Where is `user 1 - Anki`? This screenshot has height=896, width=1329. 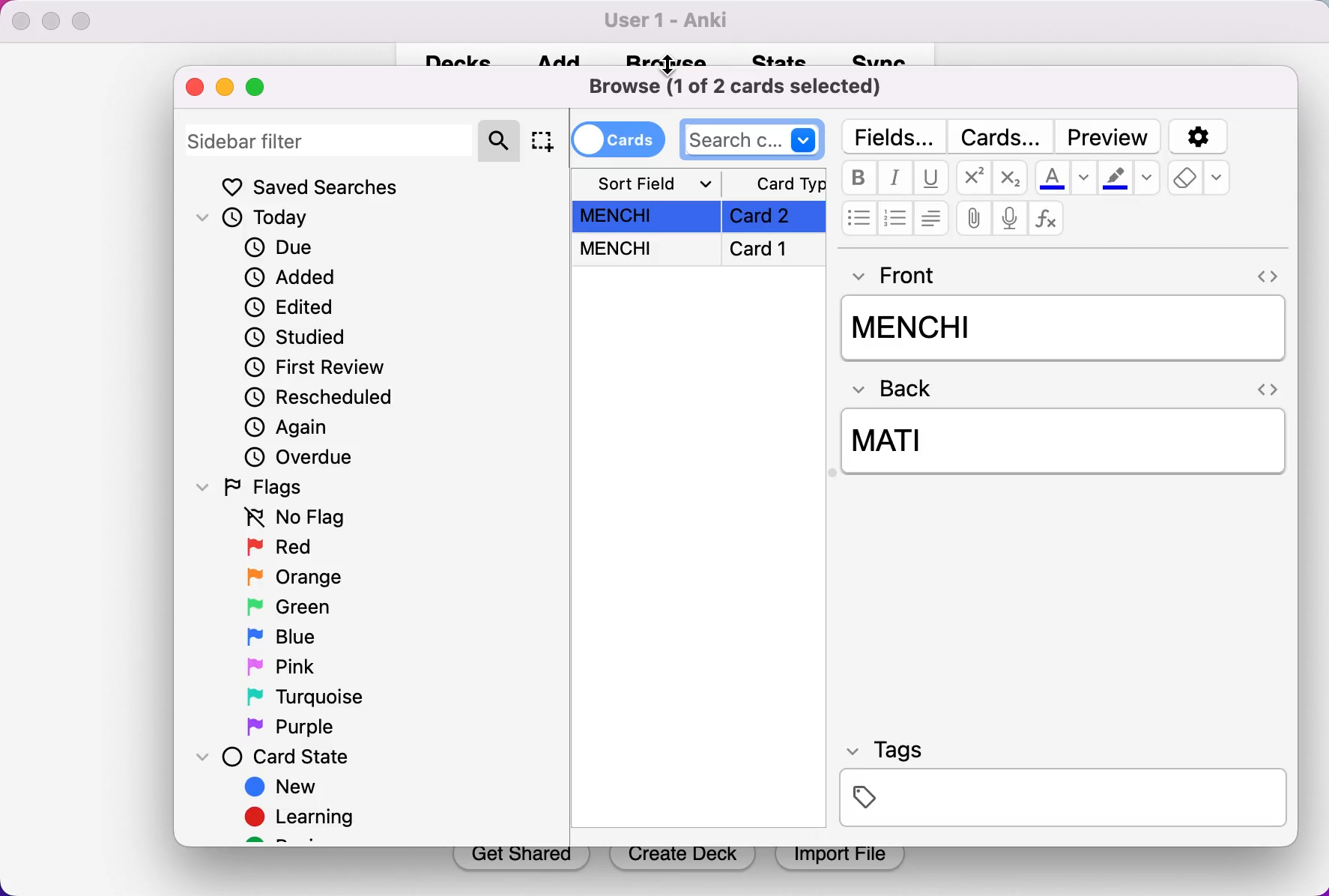
user 1 - Anki is located at coordinates (671, 21).